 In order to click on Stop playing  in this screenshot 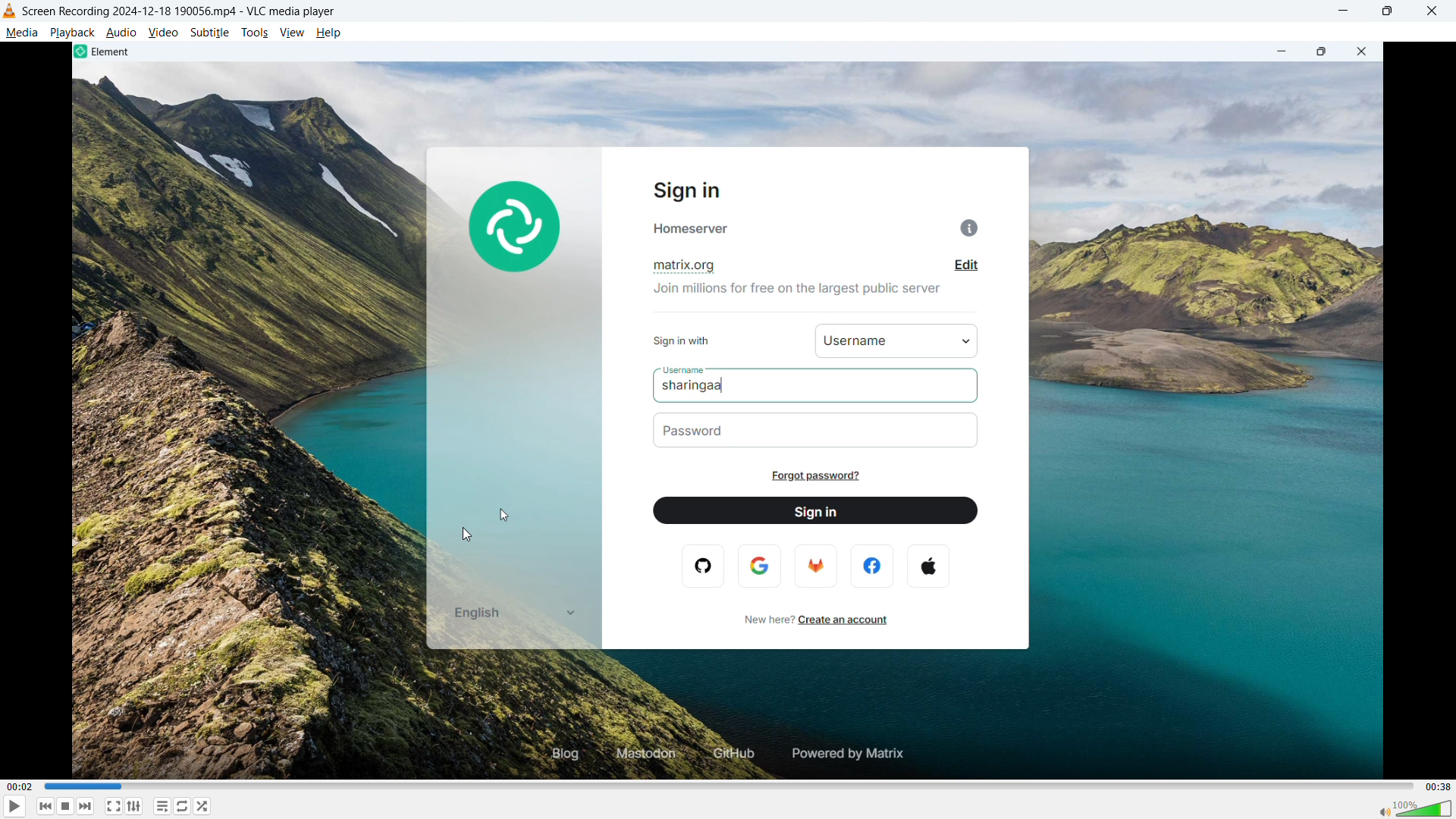, I will do `click(65, 806)`.